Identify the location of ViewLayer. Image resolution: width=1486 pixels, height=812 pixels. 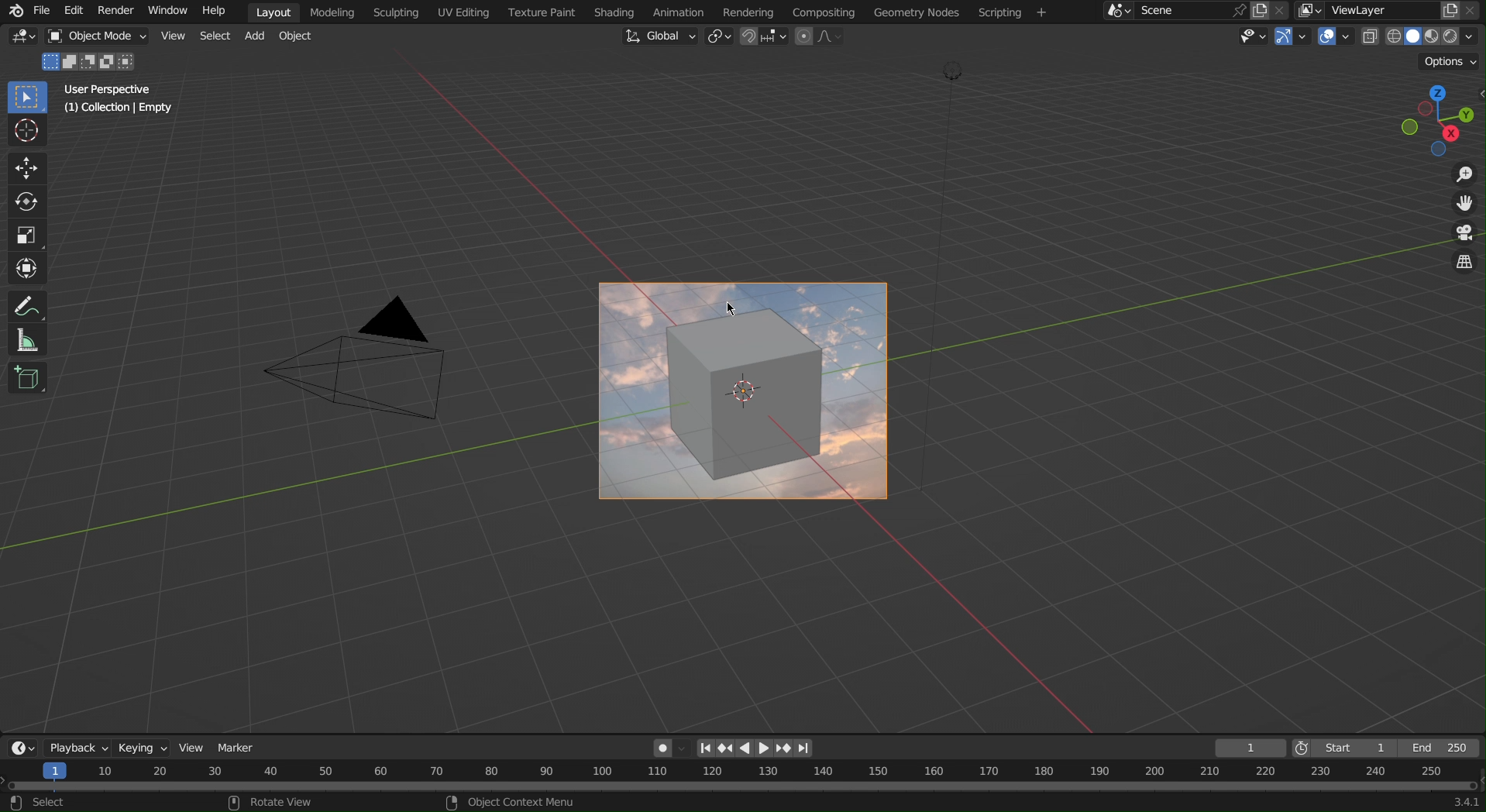
(1391, 11).